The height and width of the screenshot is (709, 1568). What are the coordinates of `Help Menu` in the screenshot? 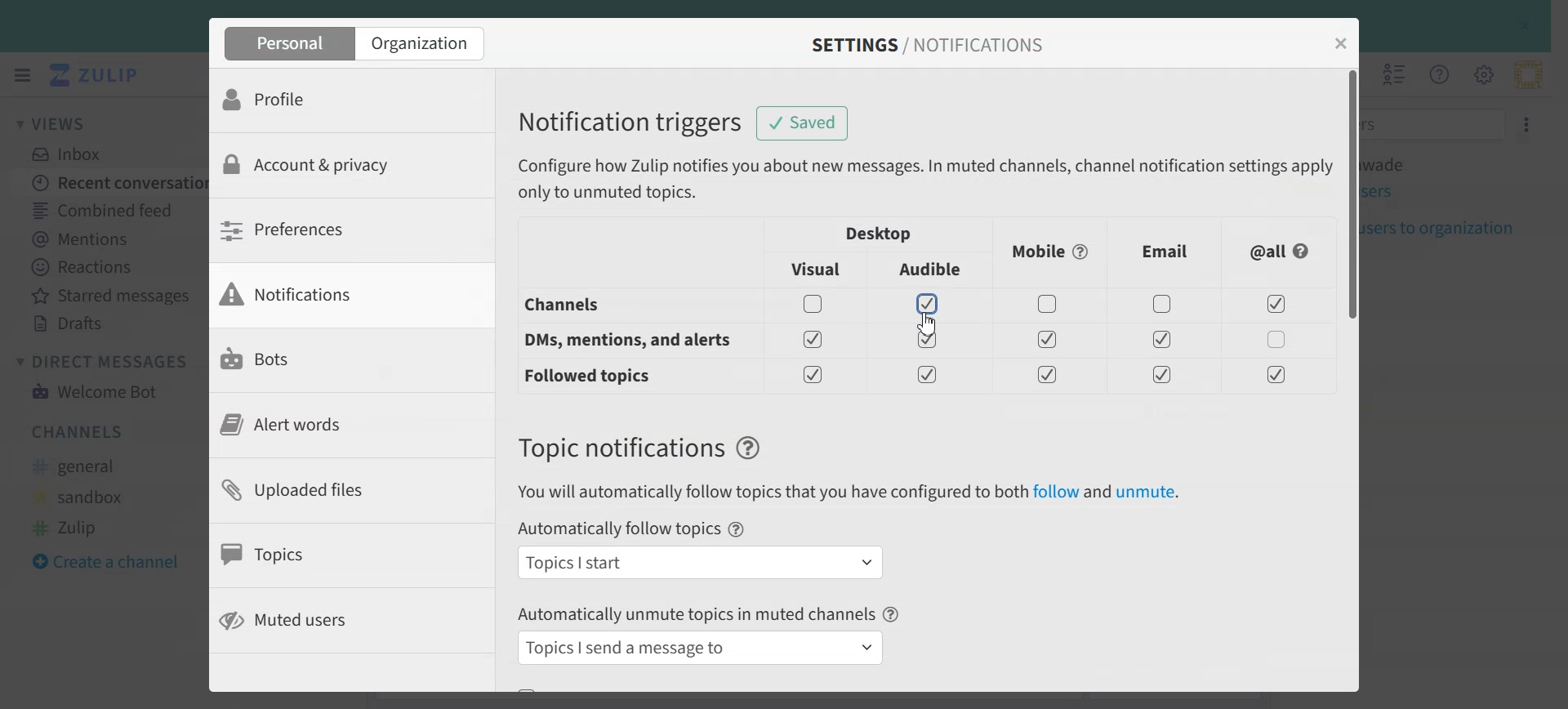 It's located at (1437, 74).